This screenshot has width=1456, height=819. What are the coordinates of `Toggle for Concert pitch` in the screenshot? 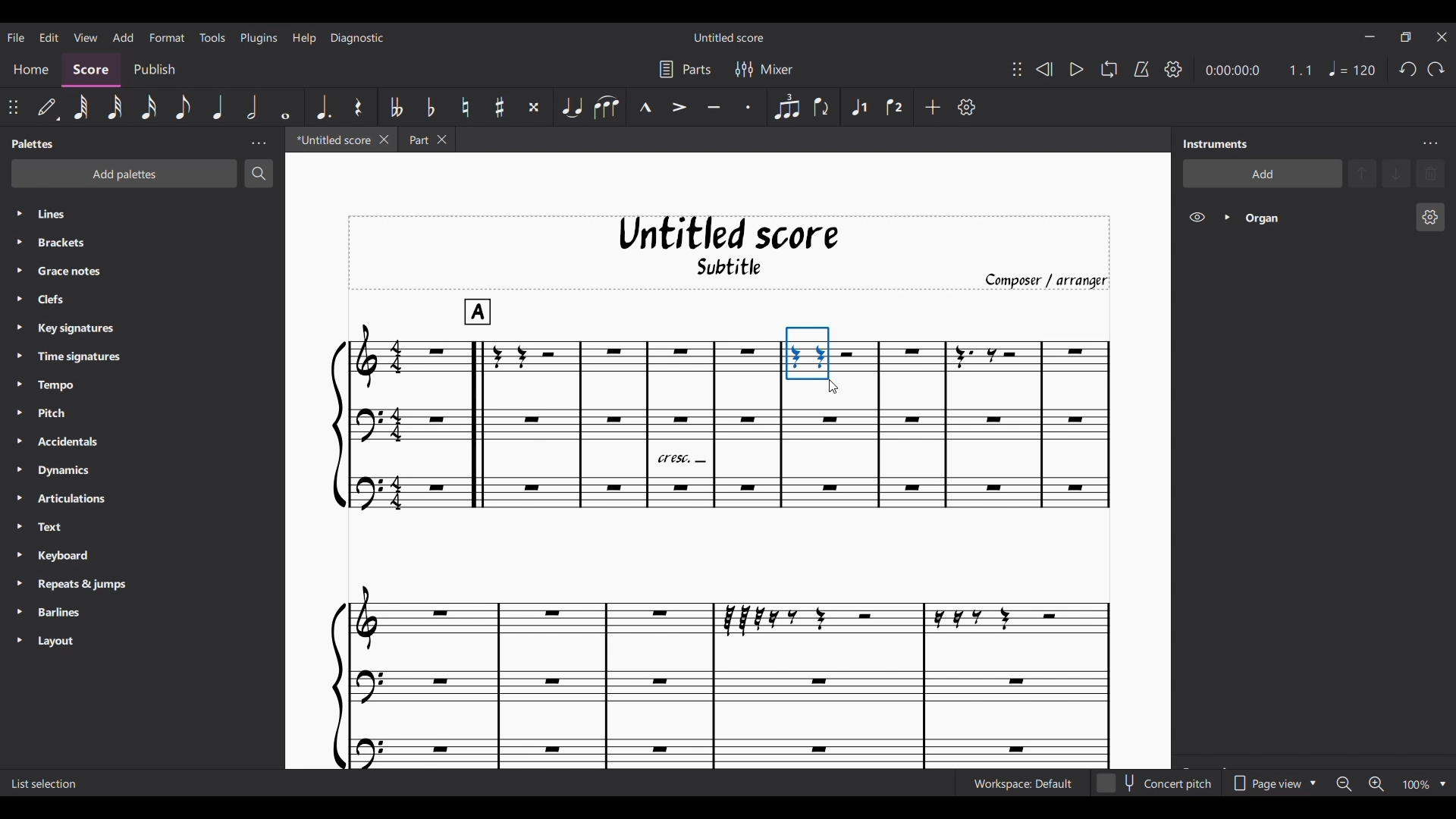 It's located at (1156, 783).